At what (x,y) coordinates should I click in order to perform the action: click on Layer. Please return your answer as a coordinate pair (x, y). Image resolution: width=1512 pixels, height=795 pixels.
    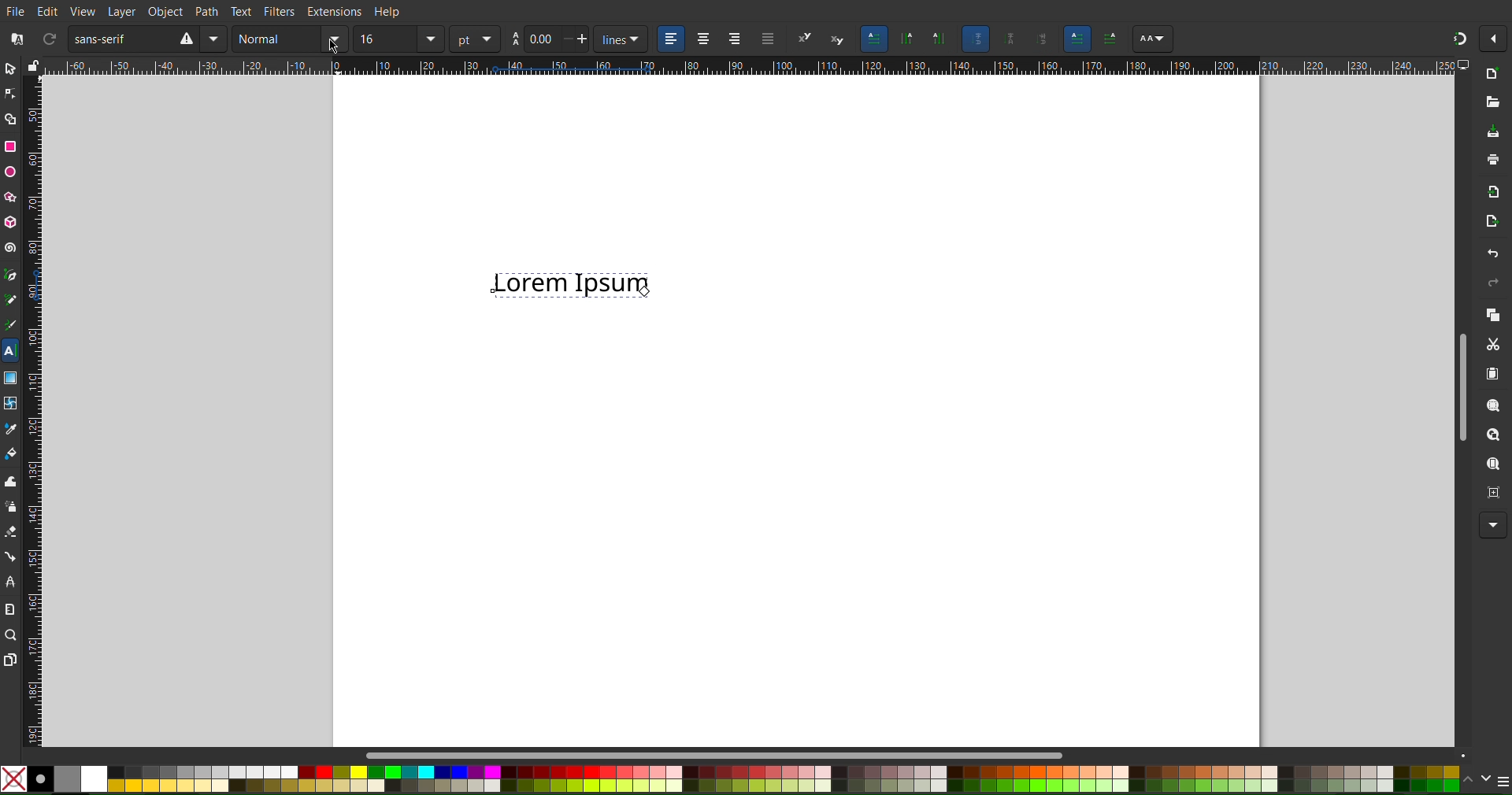
    Looking at the image, I should click on (121, 11).